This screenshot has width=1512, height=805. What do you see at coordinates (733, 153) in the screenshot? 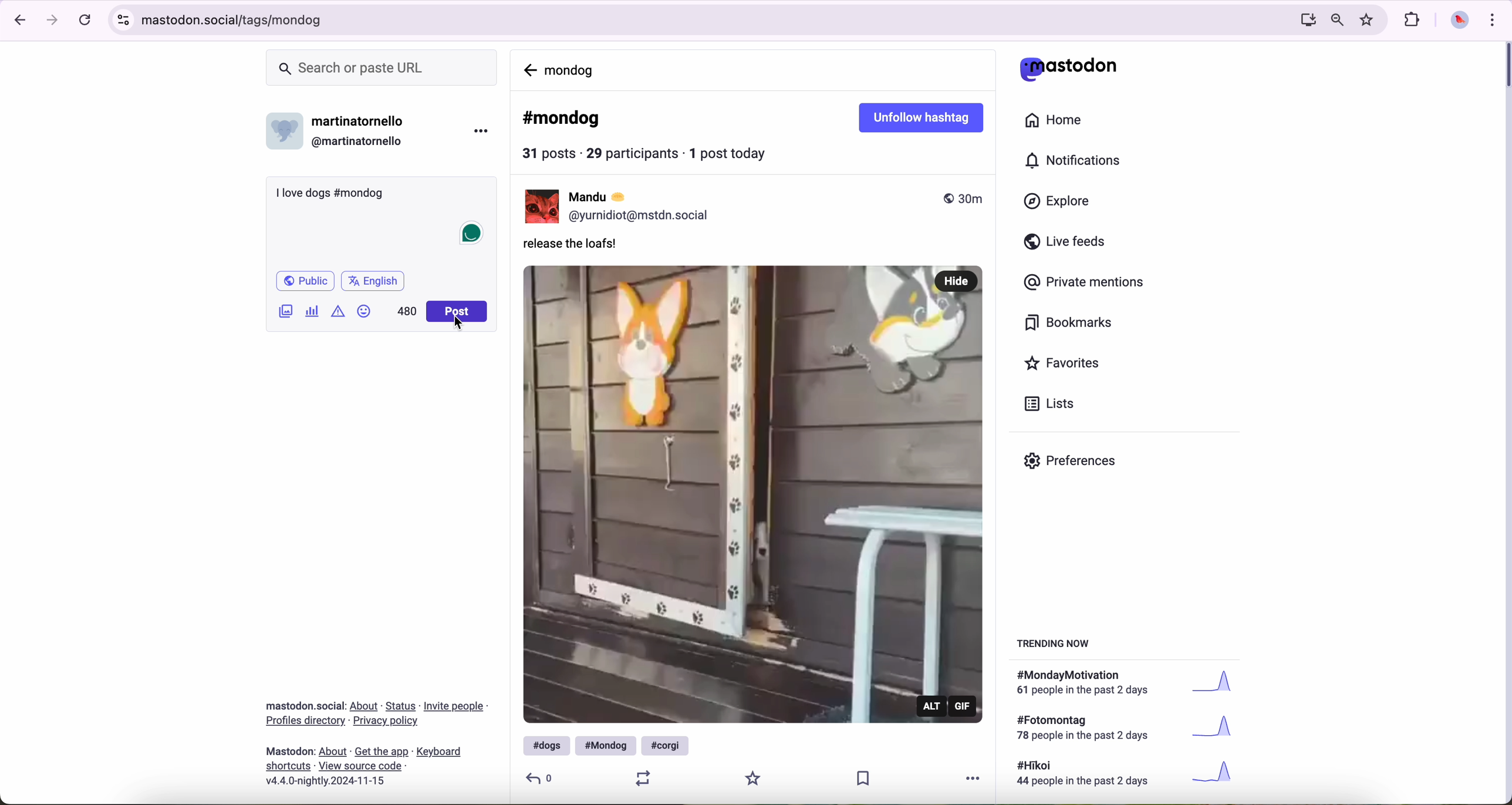
I see `1 post today` at bounding box center [733, 153].